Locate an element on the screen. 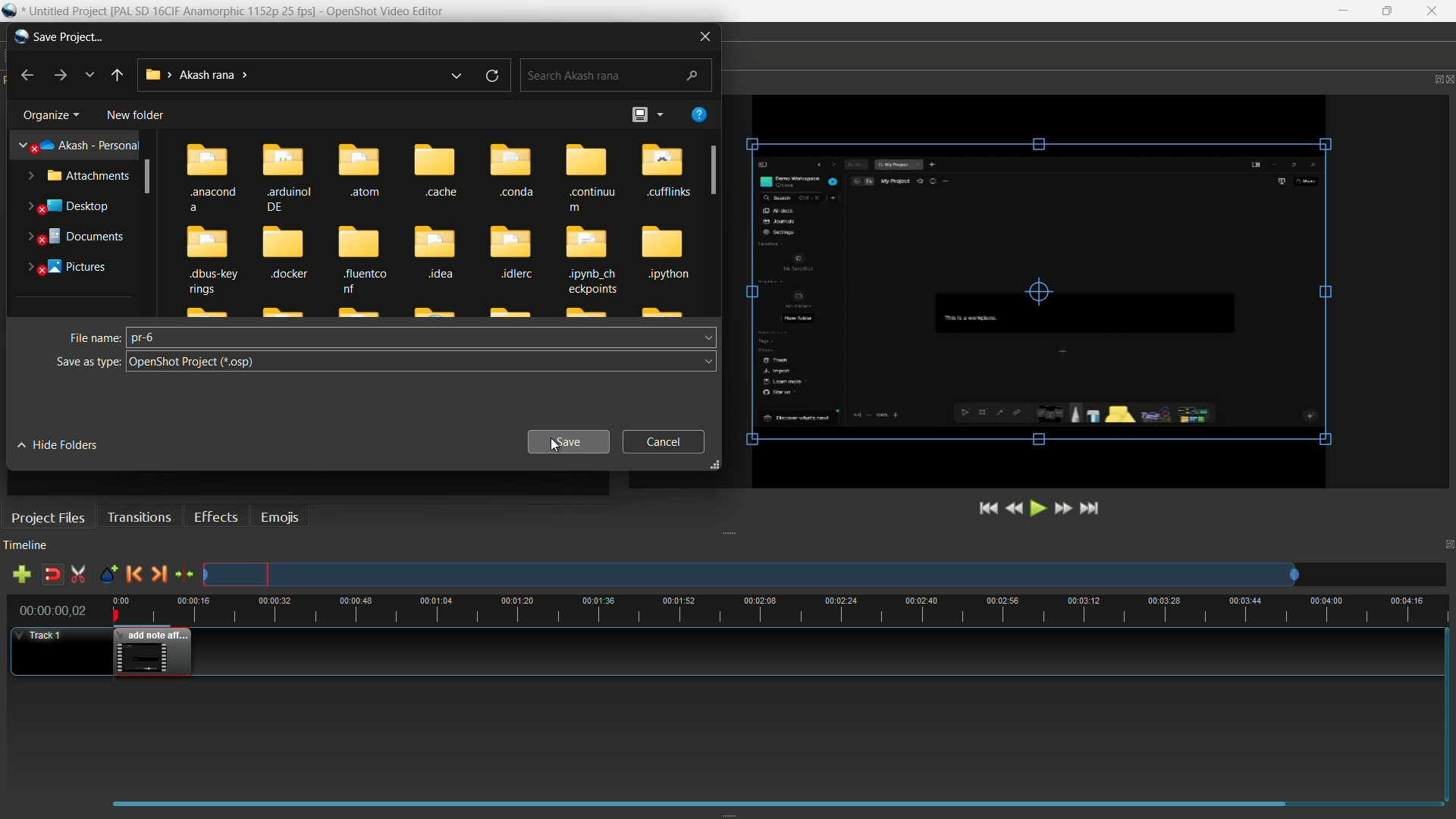  .dbus-key
rings is located at coordinates (212, 261).